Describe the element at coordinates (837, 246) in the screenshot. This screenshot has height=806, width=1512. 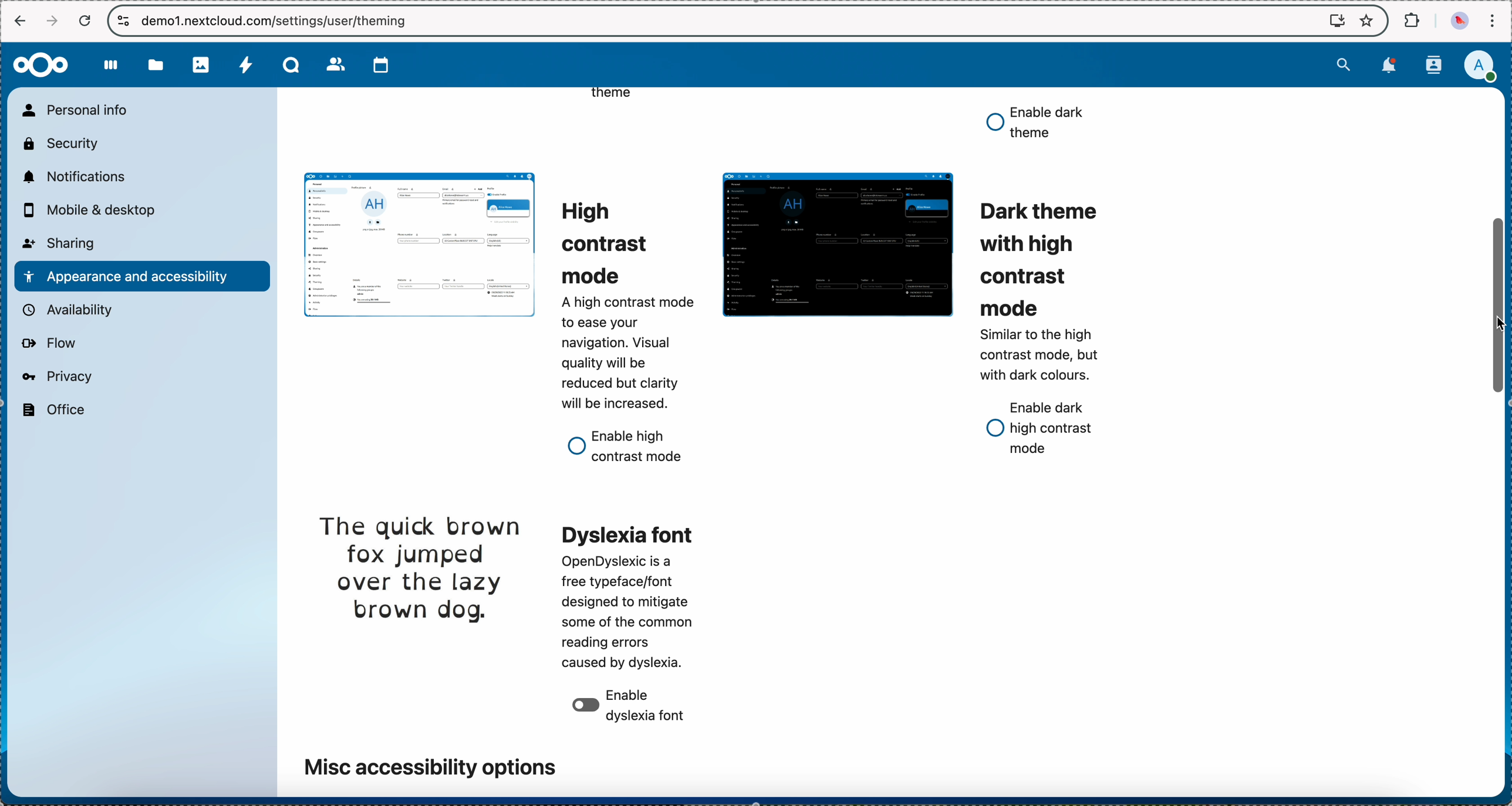
I see `dark theme preview` at that location.